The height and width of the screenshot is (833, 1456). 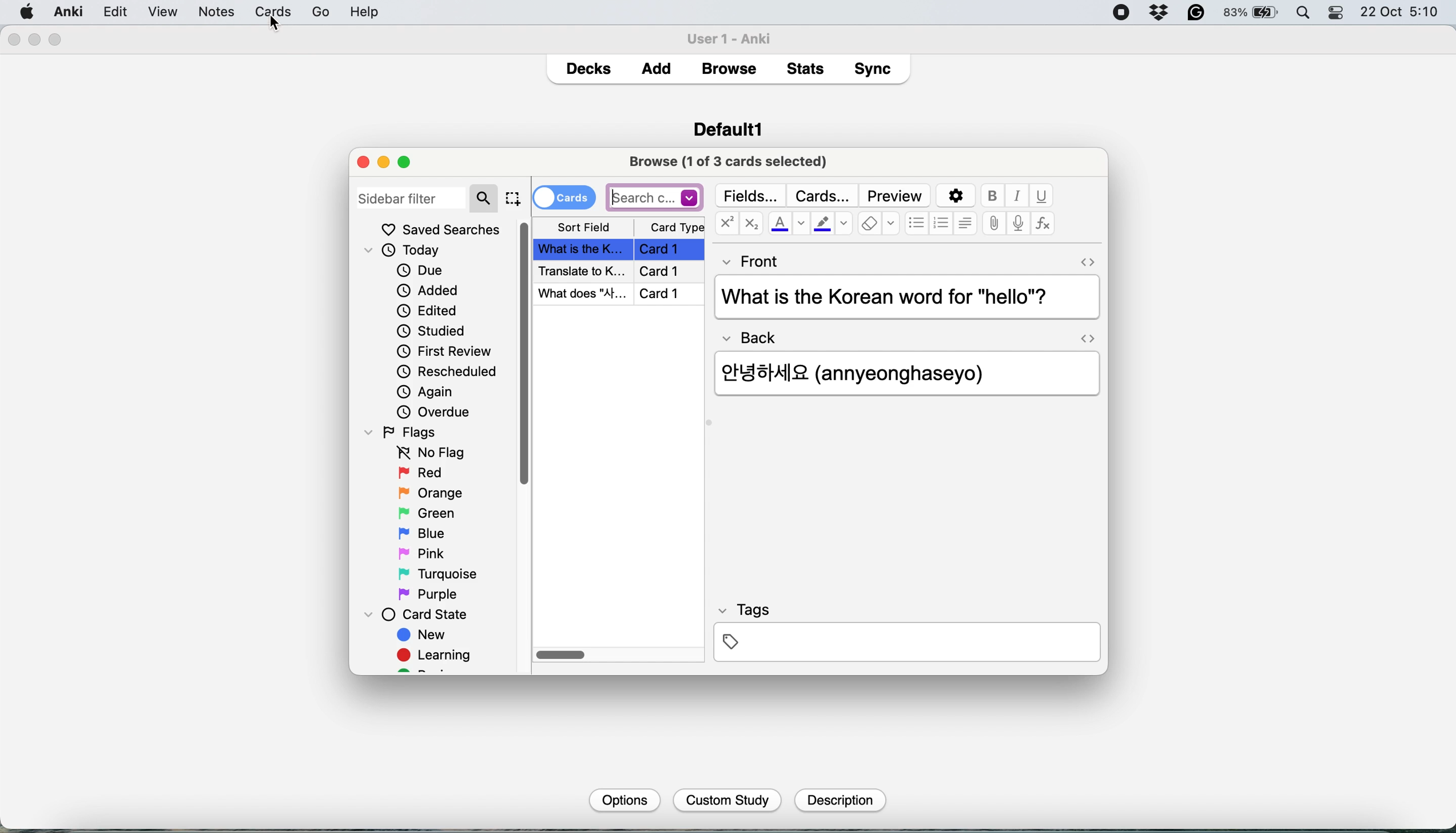 What do you see at coordinates (432, 330) in the screenshot?
I see `studied` at bounding box center [432, 330].